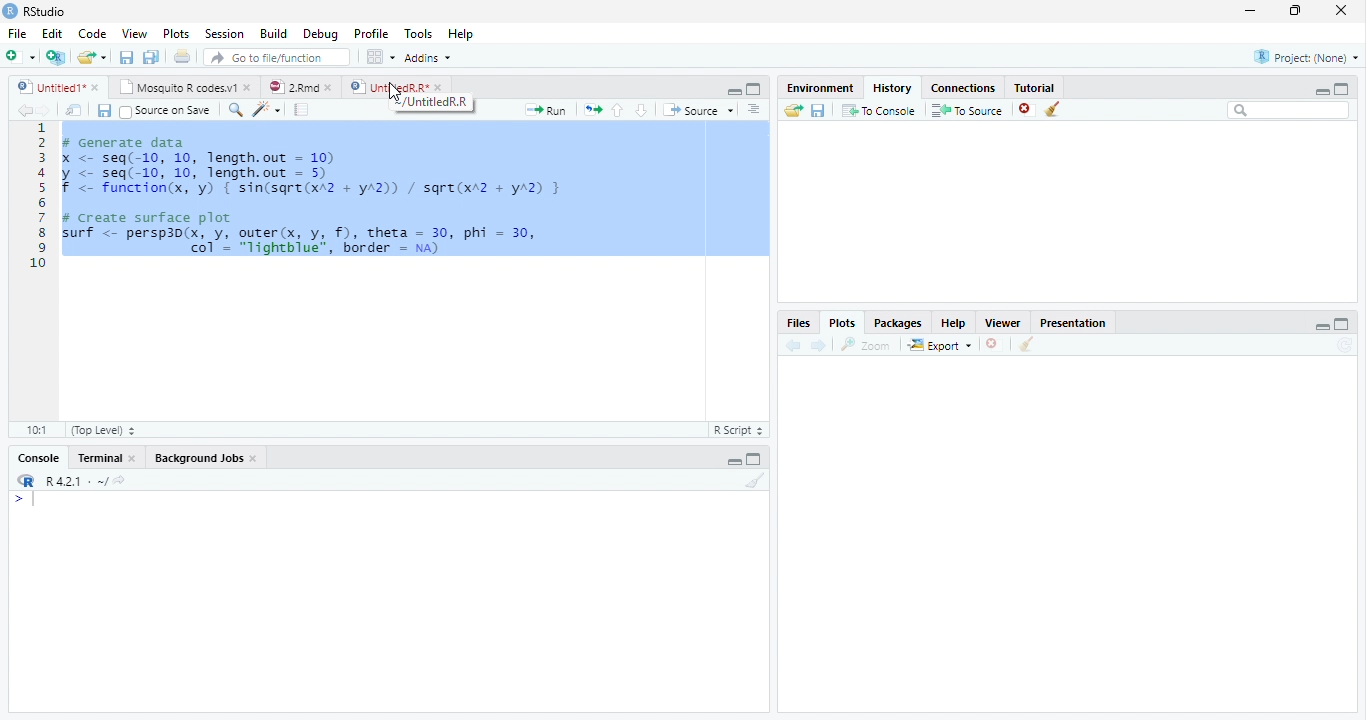 Image resolution: width=1366 pixels, height=720 pixels. I want to click on Next plot, so click(819, 345).